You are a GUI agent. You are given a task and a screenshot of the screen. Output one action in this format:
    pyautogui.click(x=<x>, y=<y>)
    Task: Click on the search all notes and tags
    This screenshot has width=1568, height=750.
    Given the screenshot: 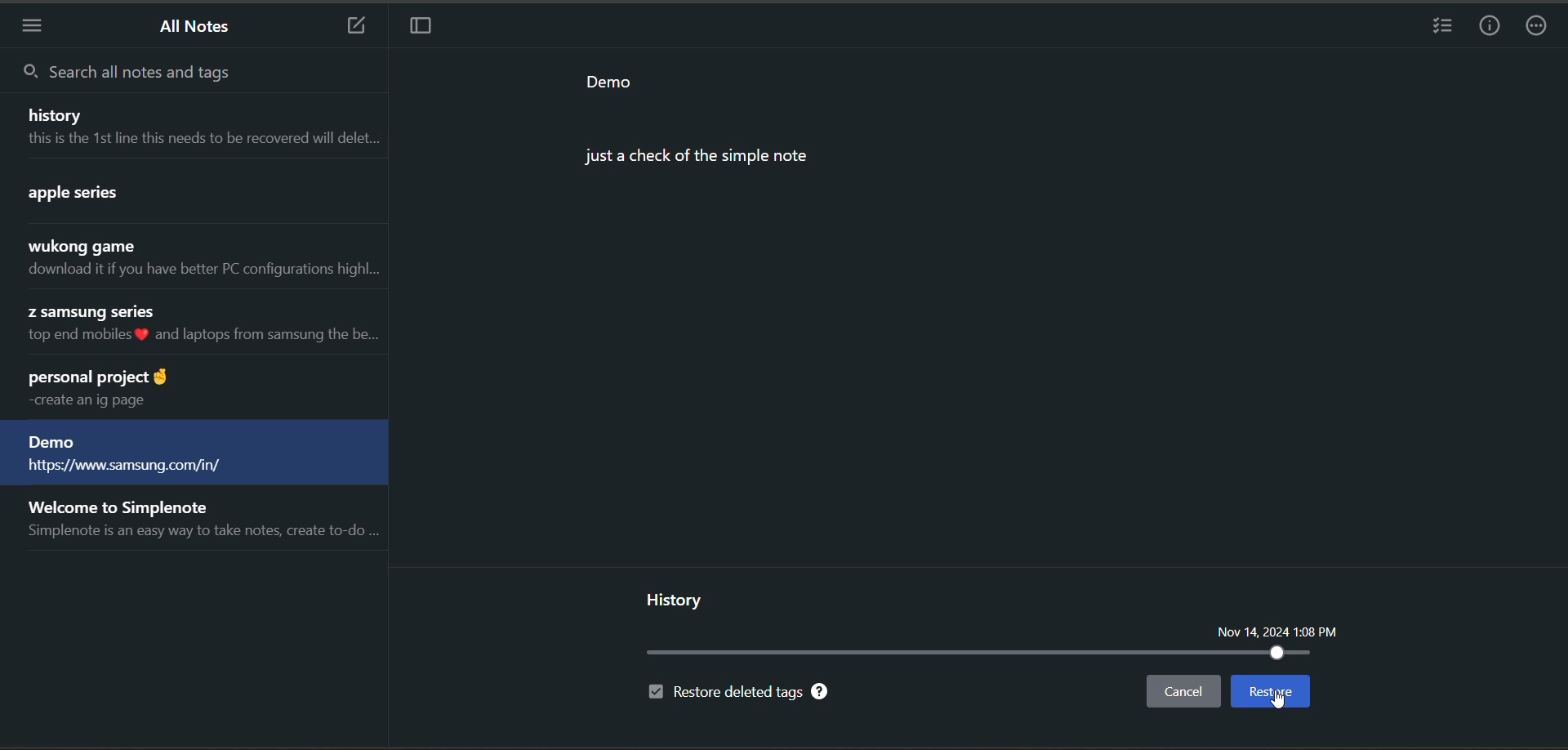 What is the action you would take?
    pyautogui.click(x=132, y=73)
    